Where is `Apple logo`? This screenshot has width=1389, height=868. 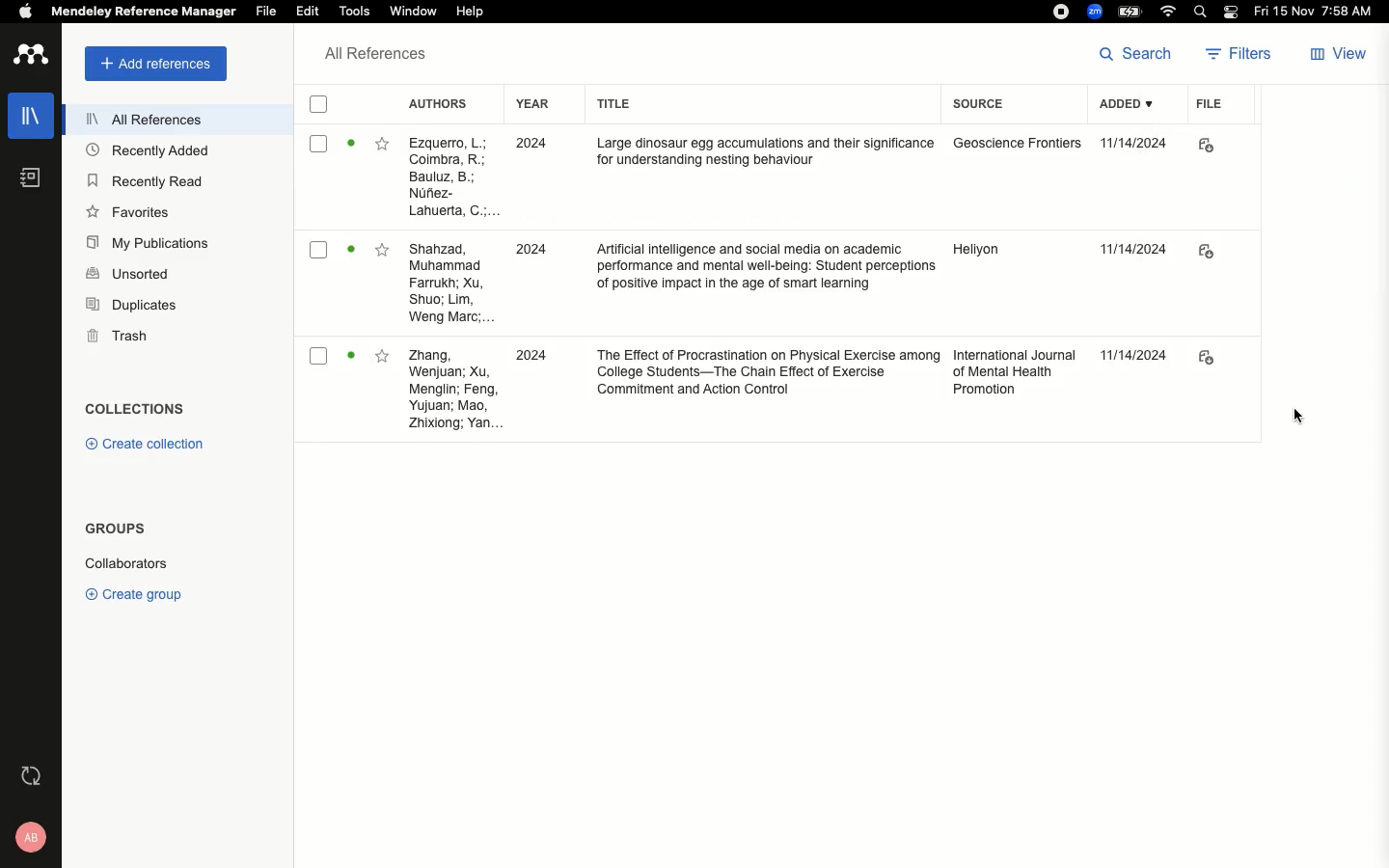
Apple logo is located at coordinates (18, 11).